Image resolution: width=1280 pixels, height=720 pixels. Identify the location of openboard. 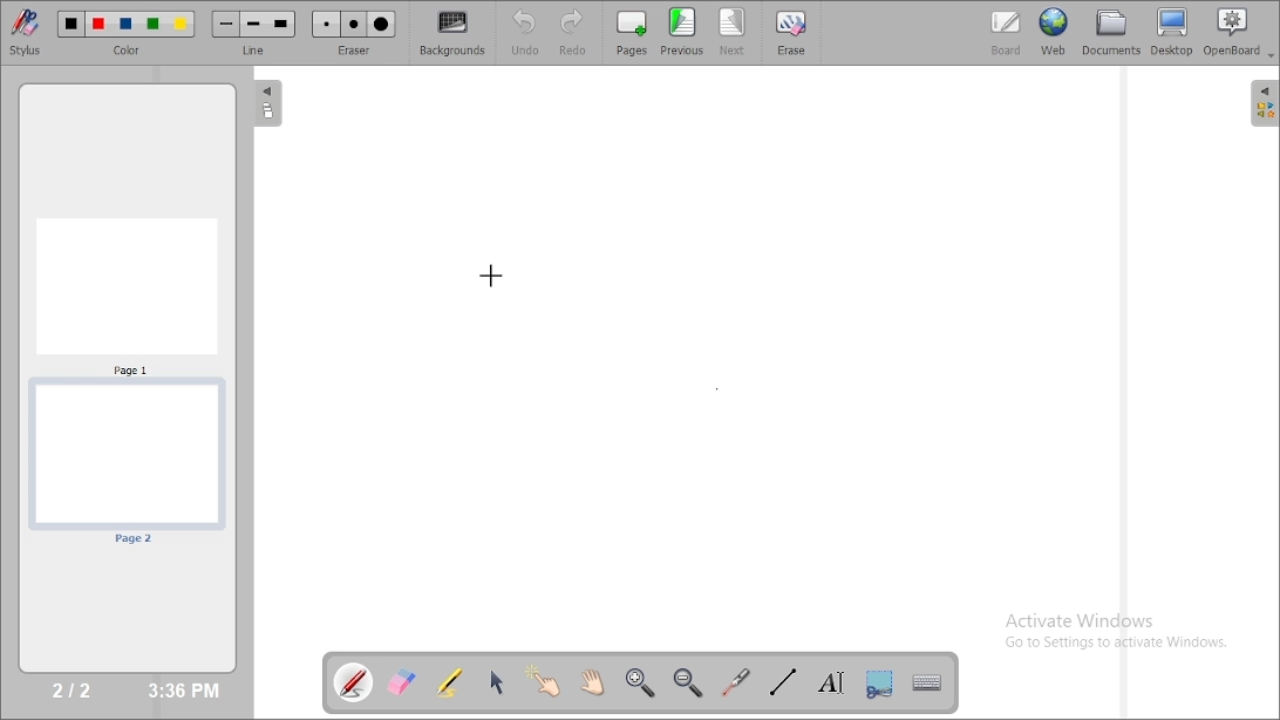
(1239, 33).